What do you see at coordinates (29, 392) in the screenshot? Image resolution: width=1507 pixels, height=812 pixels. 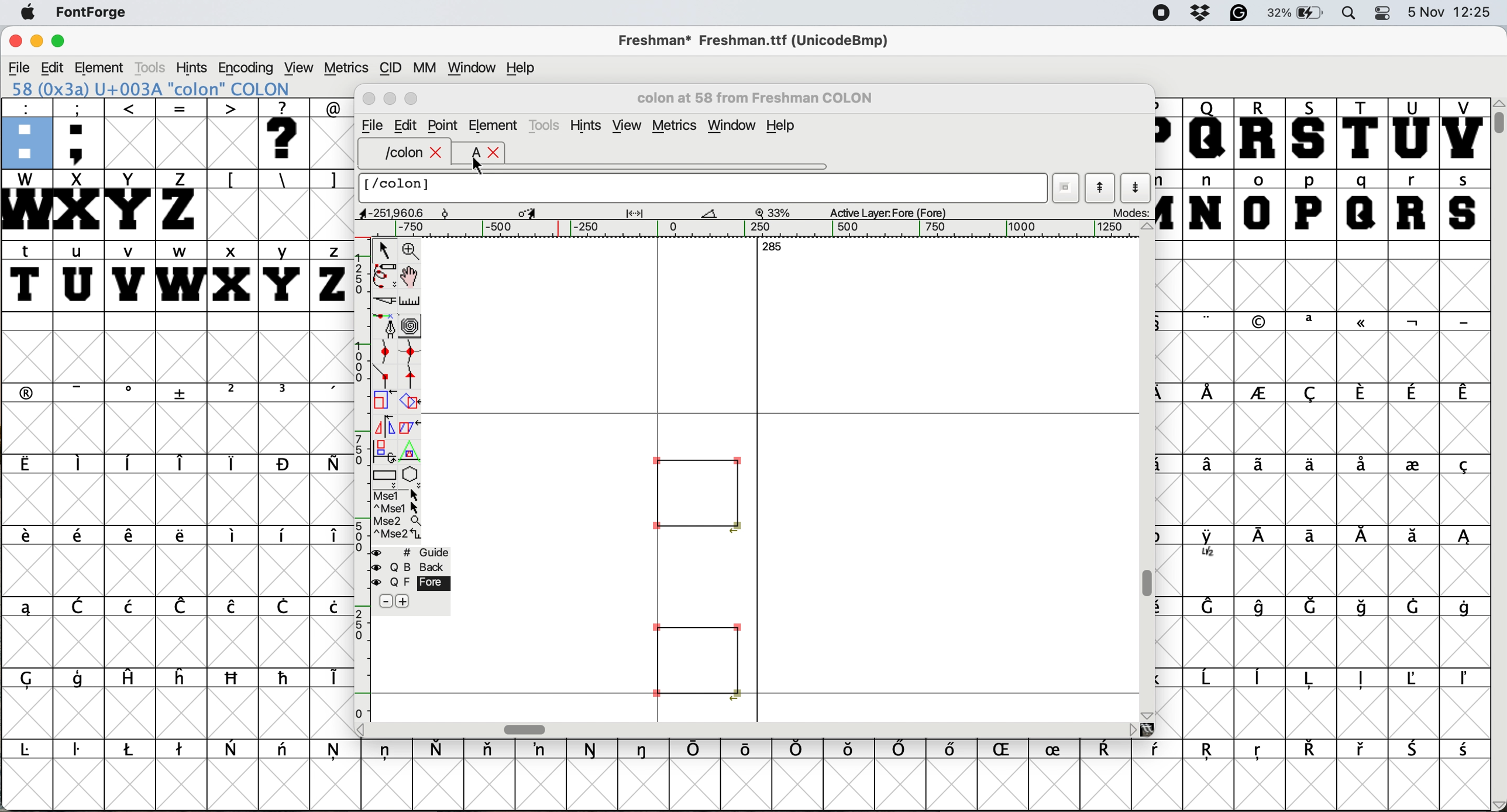 I see `symbol` at bounding box center [29, 392].